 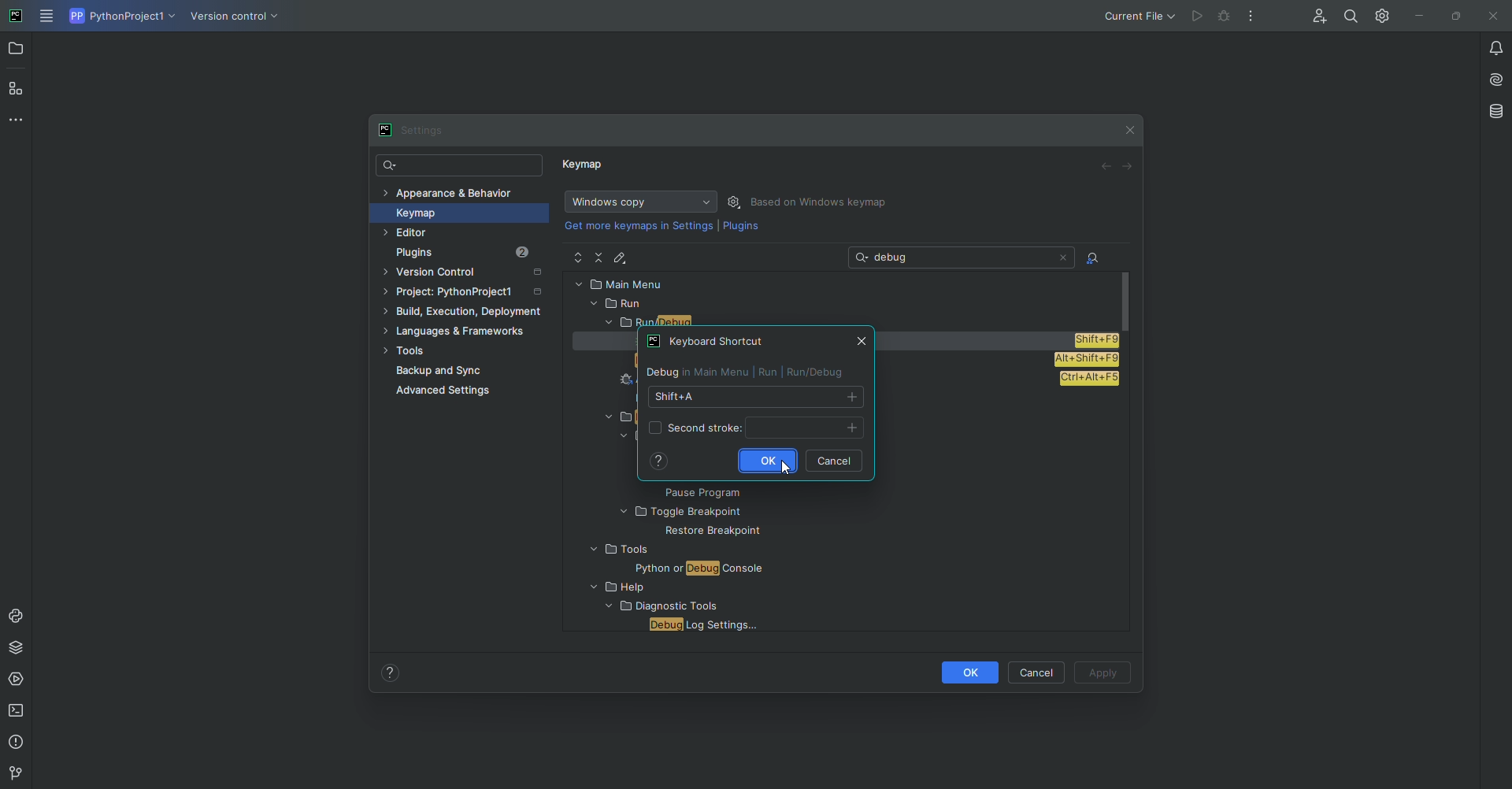 I want to click on get more keymaps, so click(x=640, y=225).